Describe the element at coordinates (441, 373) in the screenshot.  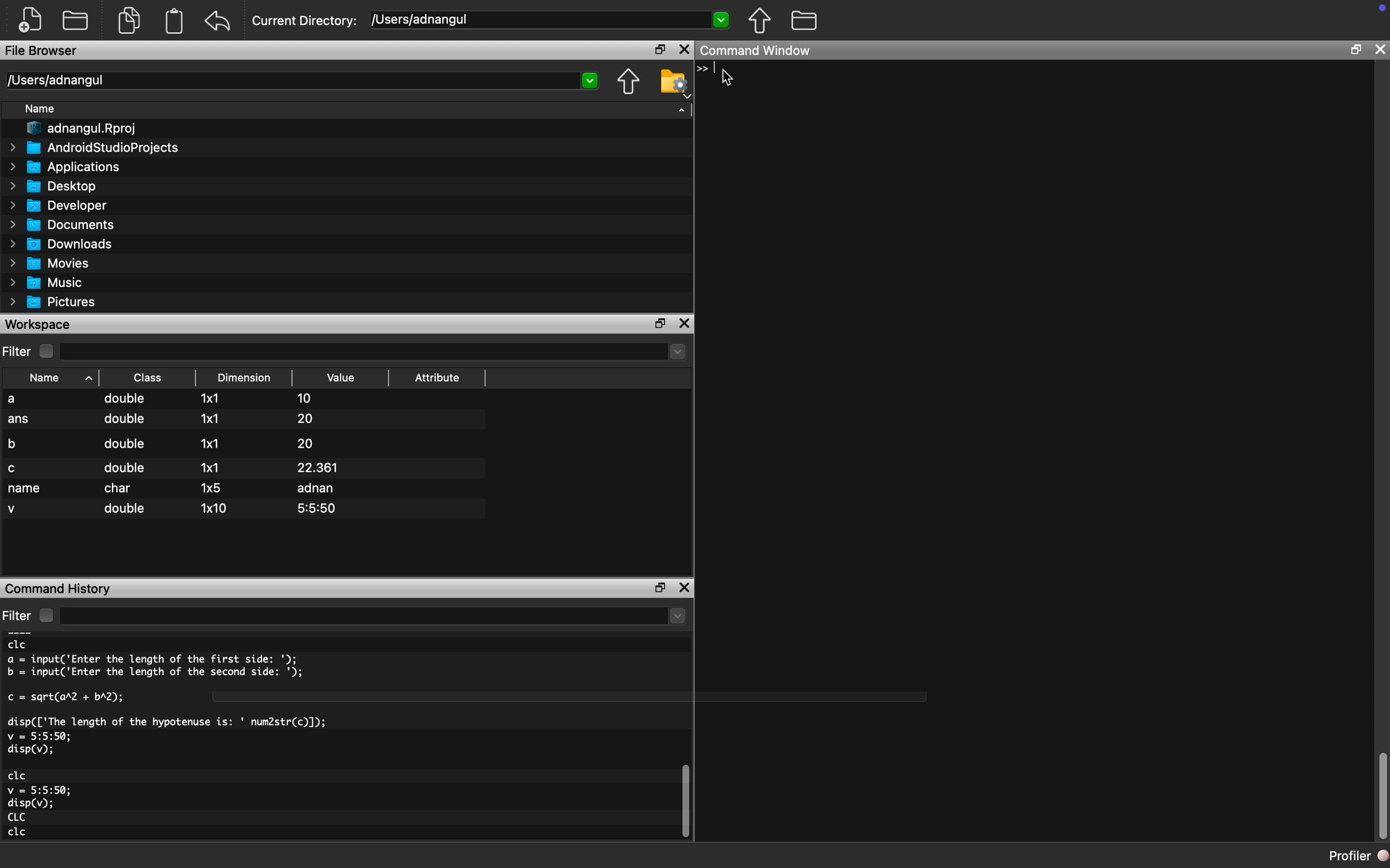
I see `Attribute` at that location.